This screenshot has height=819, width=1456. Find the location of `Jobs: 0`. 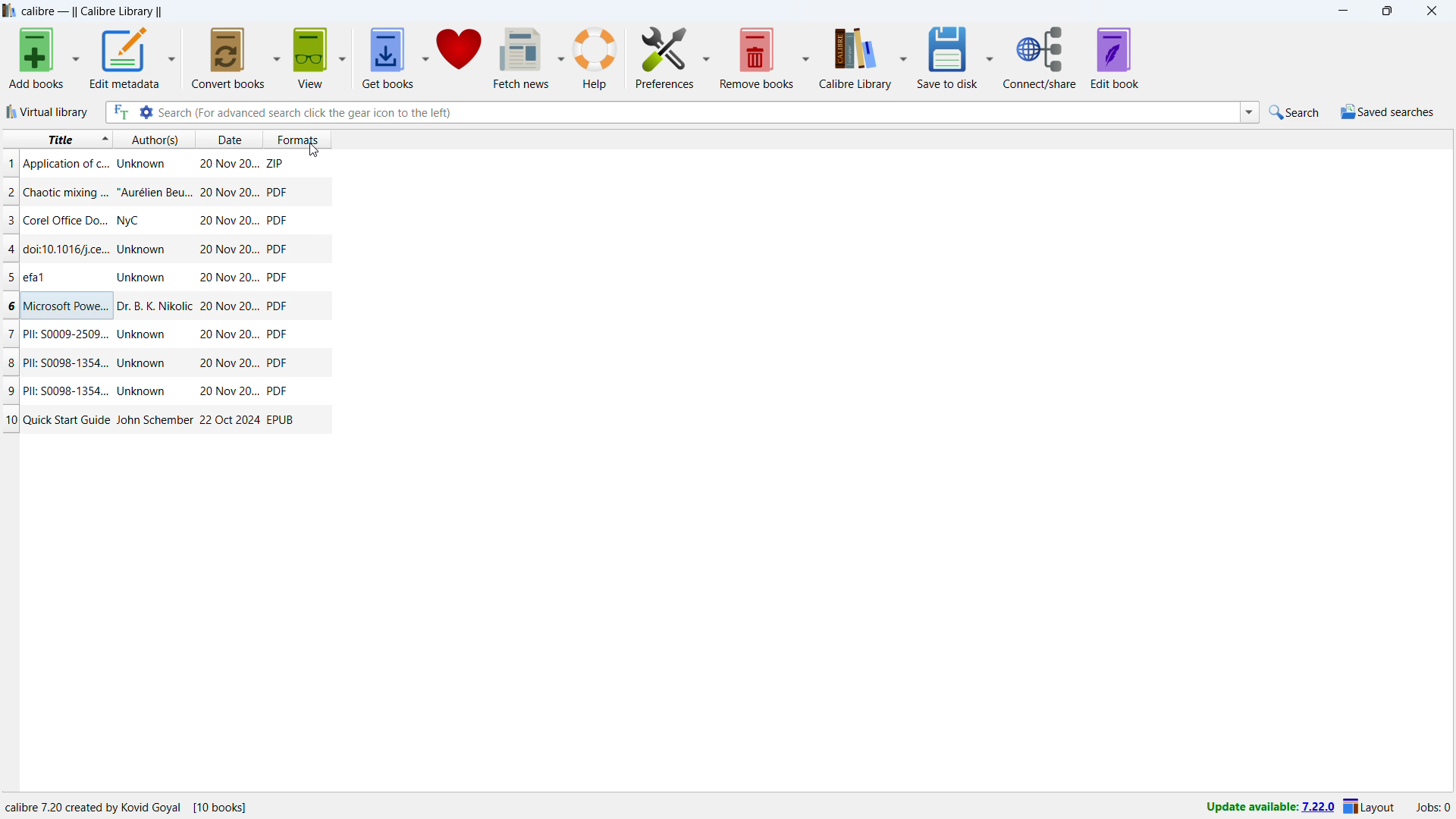

Jobs: 0 is located at coordinates (1432, 806).